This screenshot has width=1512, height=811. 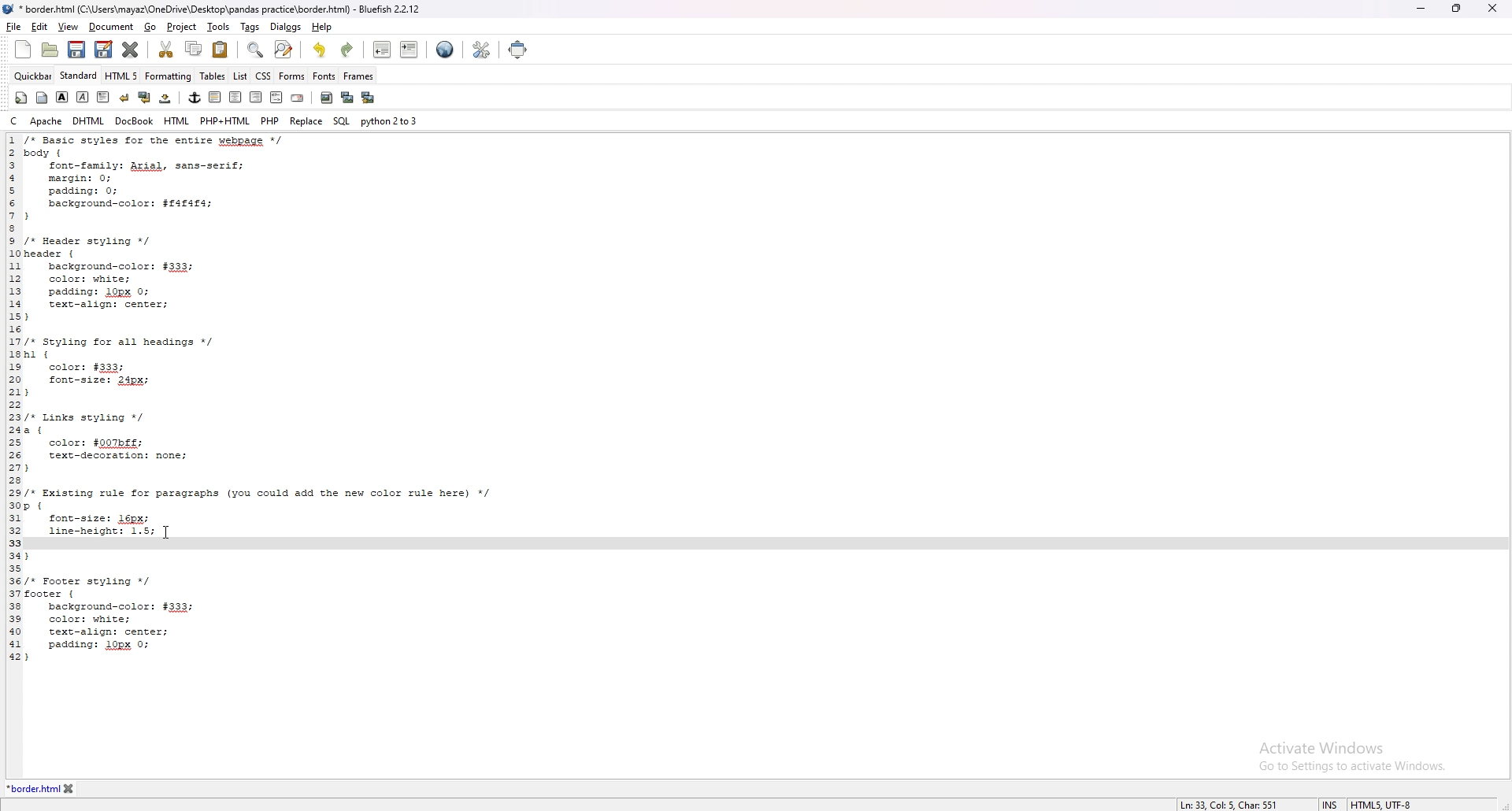 I want to click on unindent, so click(x=383, y=49).